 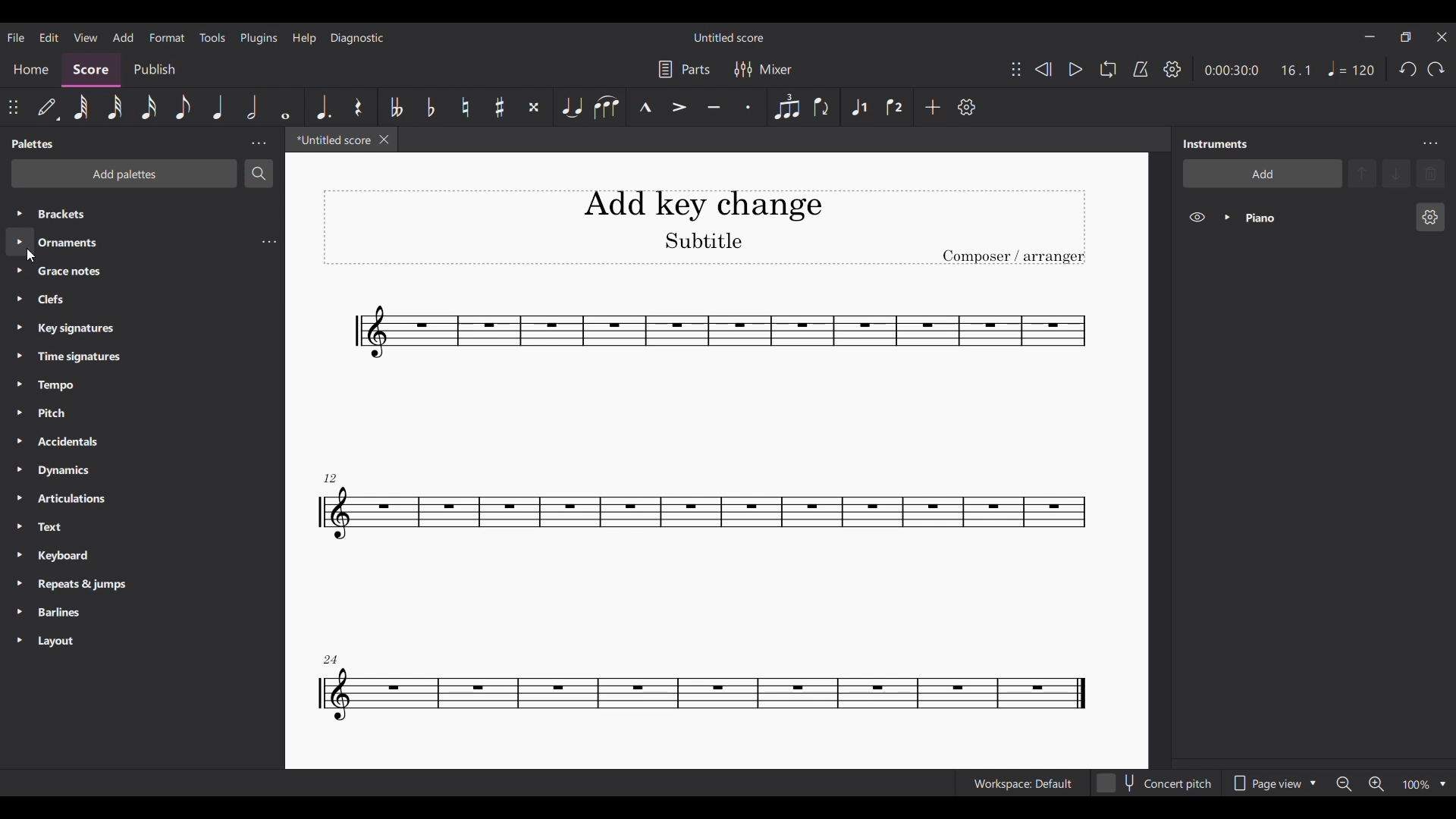 I want to click on Change position of toolbar attached, so click(x=1015, y=69).